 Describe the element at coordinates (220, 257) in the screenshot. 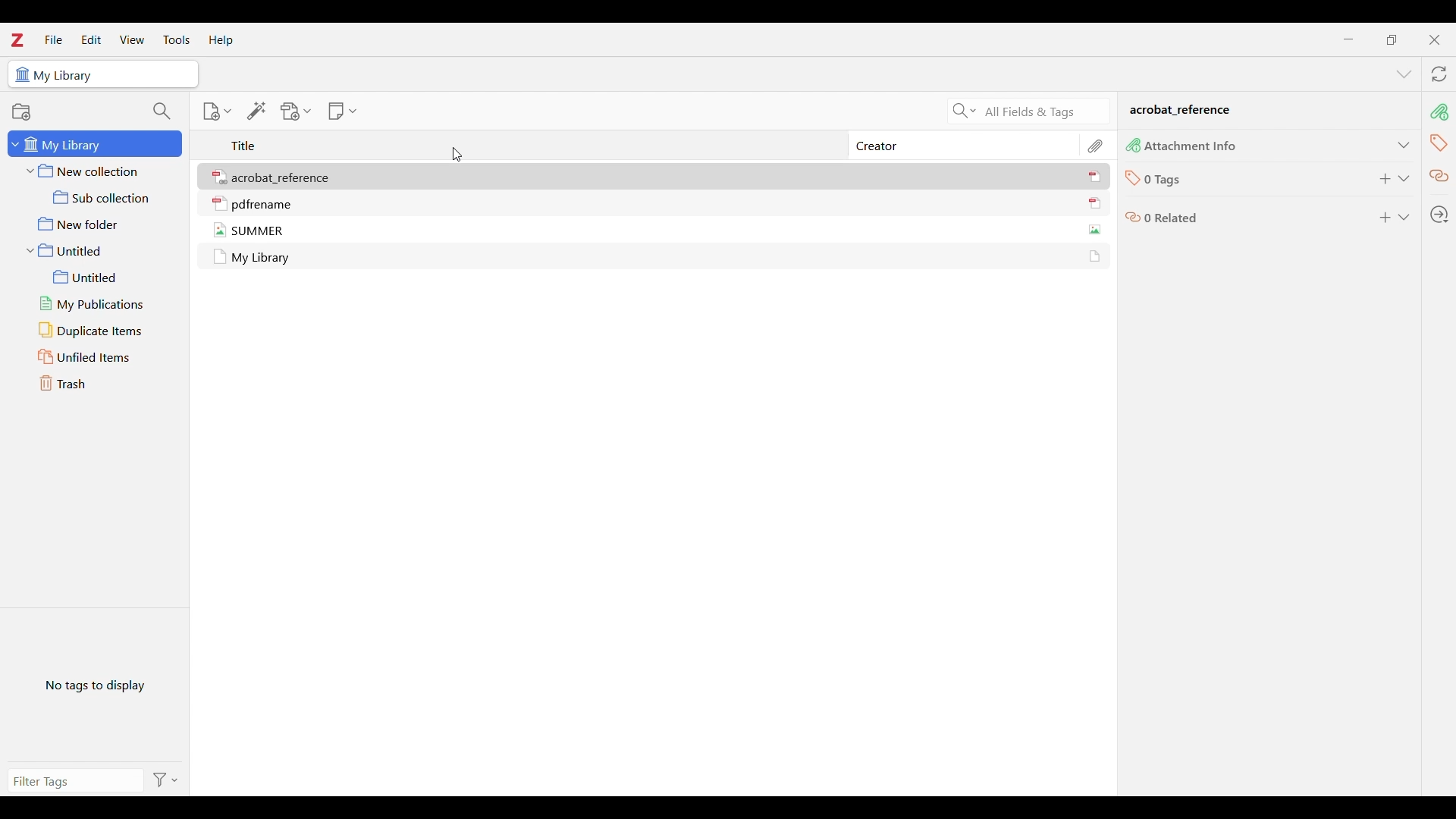

I see `icon` at that location.